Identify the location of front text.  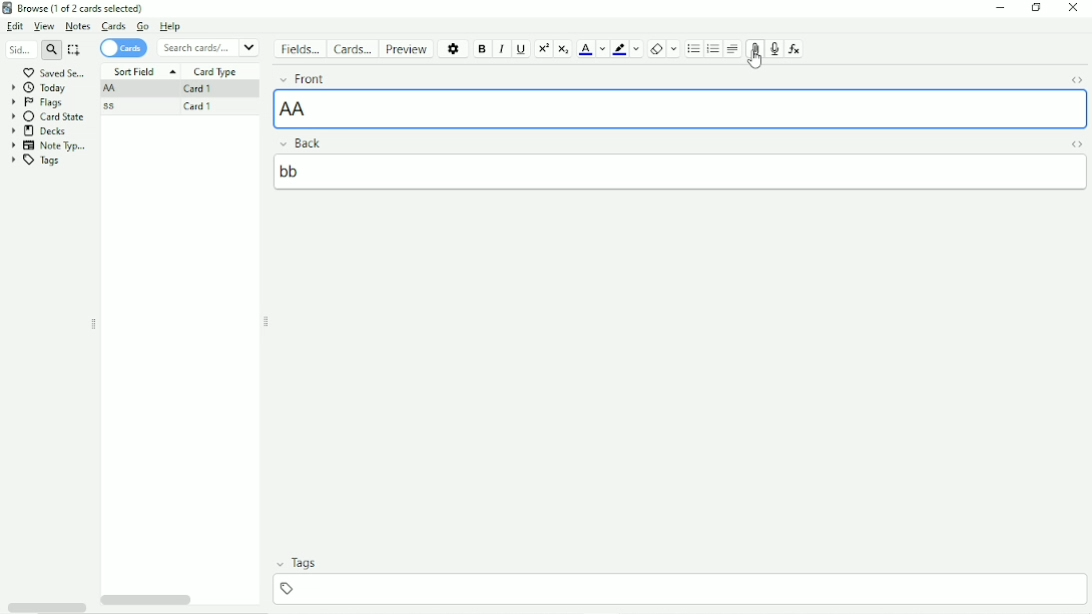
(680, 110).